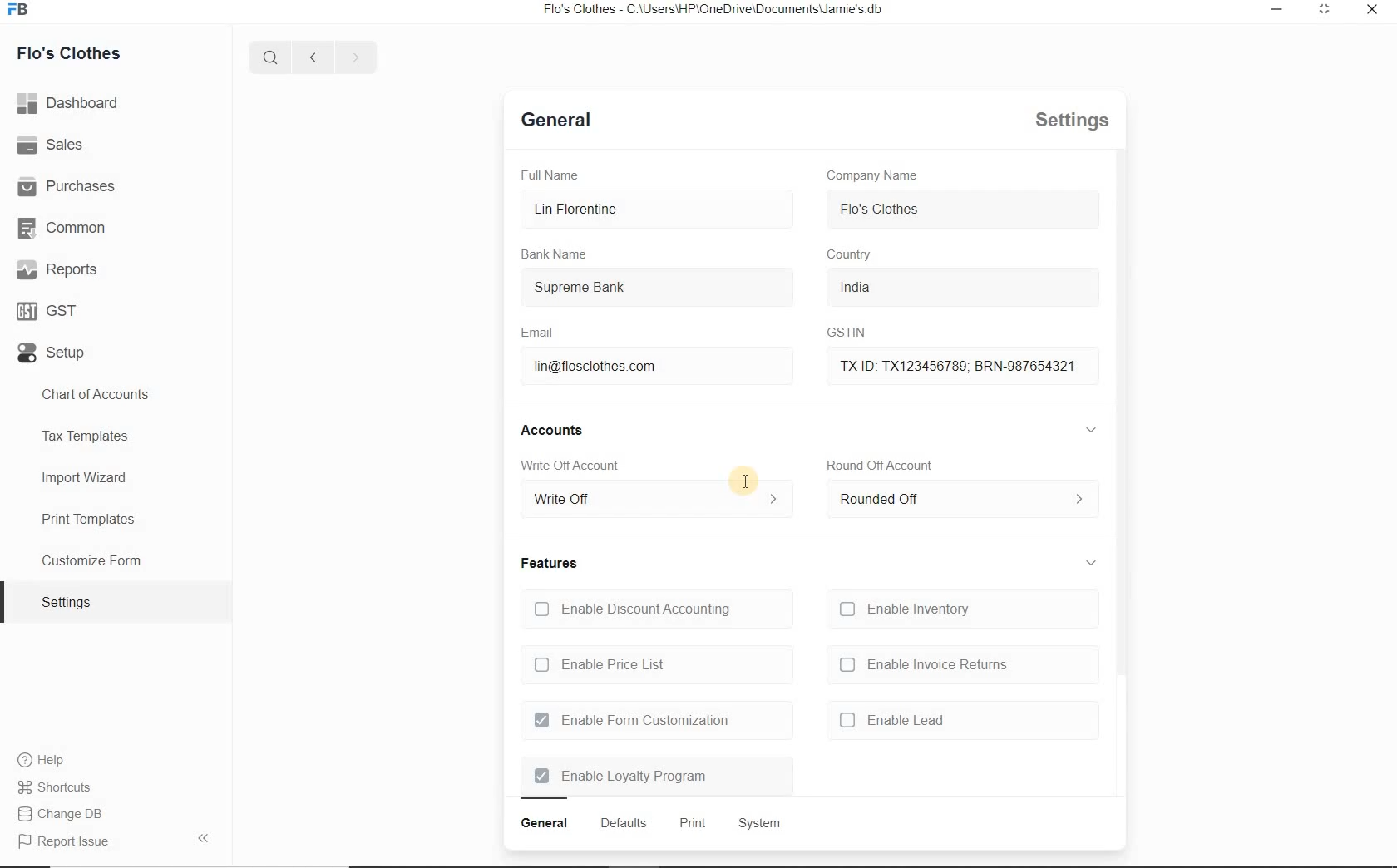  What do you see at coordinates (62, 816) in the screenshot?
I see `Change DB` at bounding box center [62, 816].